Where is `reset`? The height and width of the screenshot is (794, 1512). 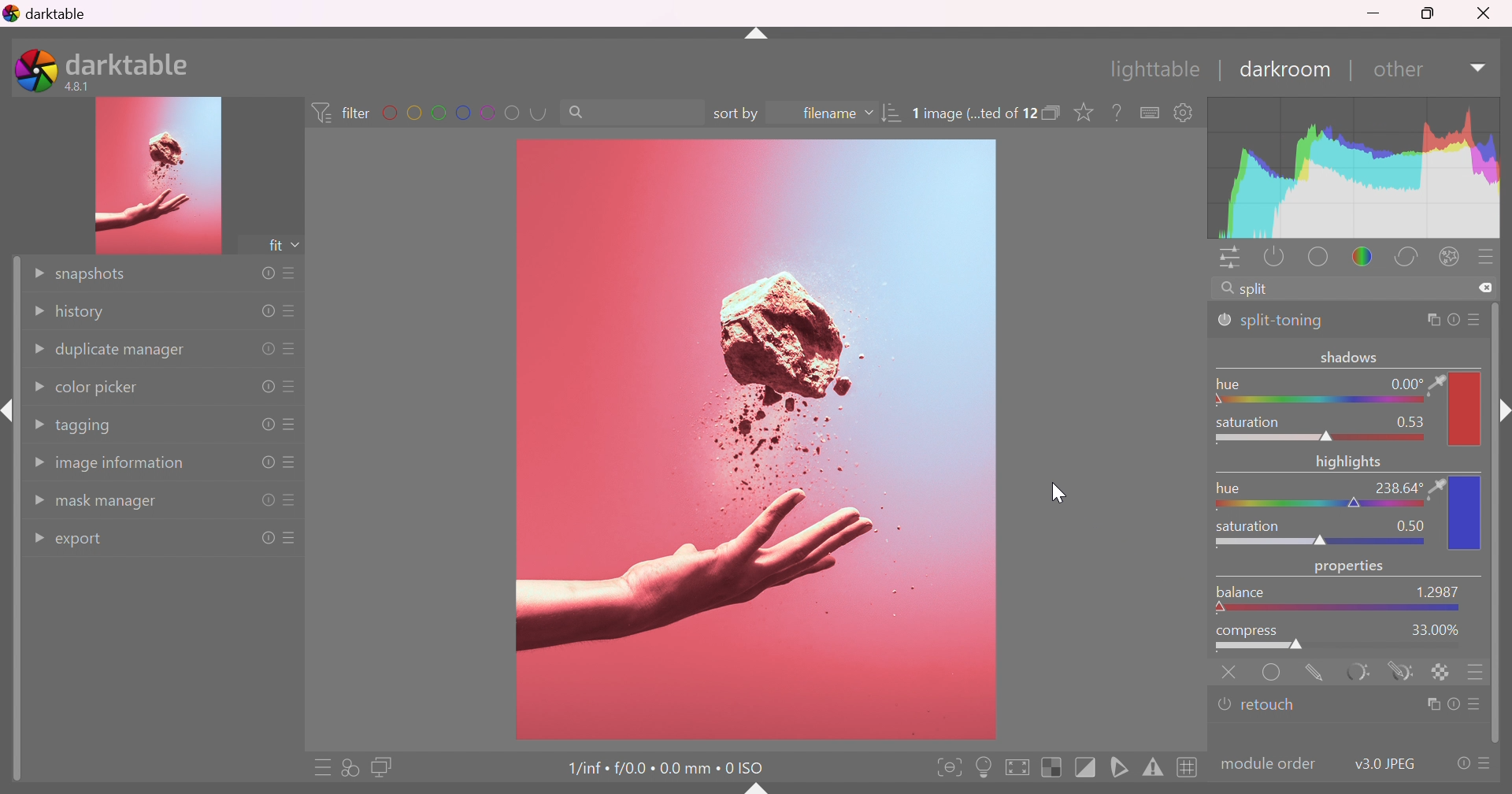
reset is located at coordinates (267, 351).